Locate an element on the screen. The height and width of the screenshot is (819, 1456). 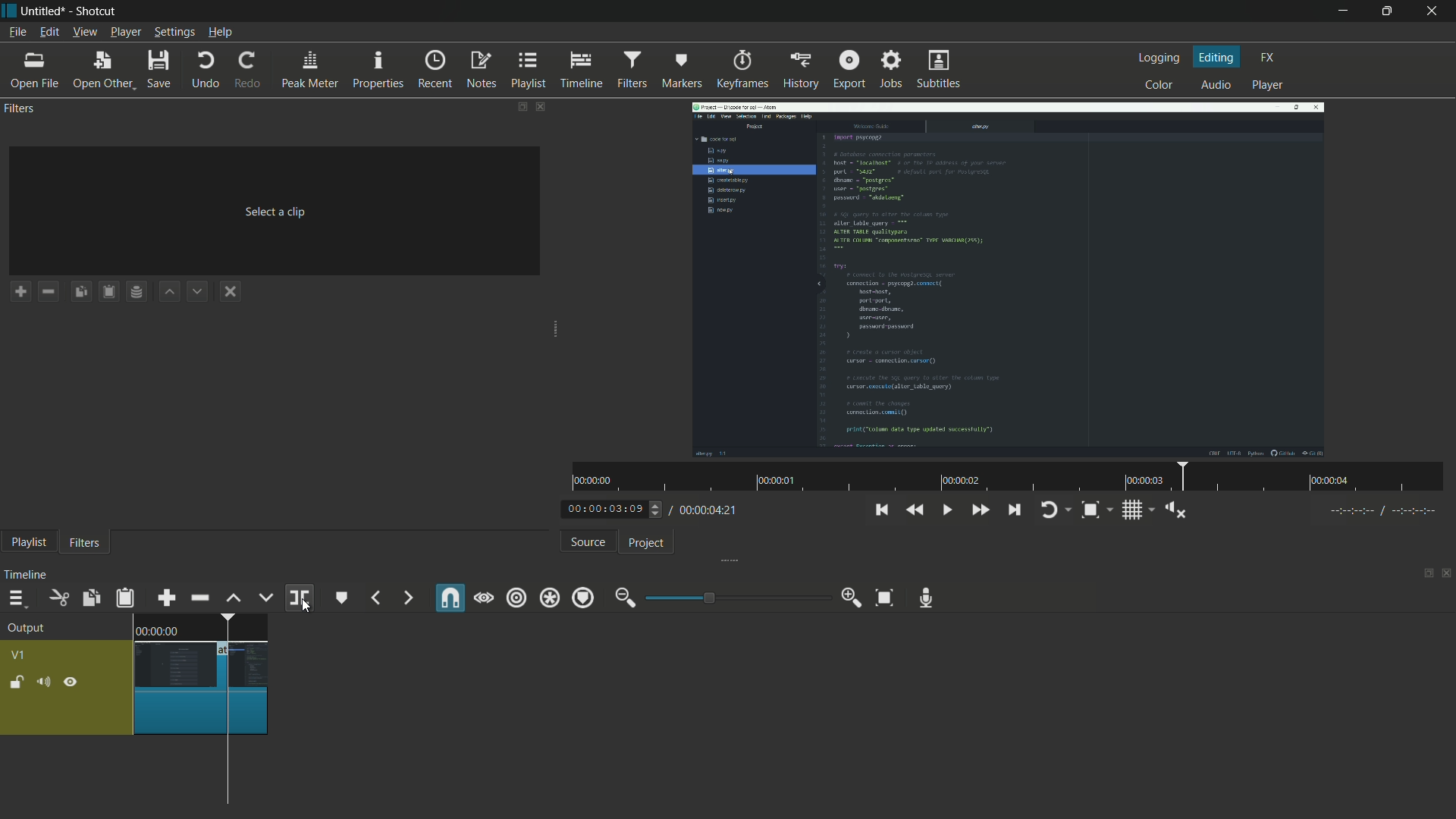
maximize is located at coordinates (1389, 11).